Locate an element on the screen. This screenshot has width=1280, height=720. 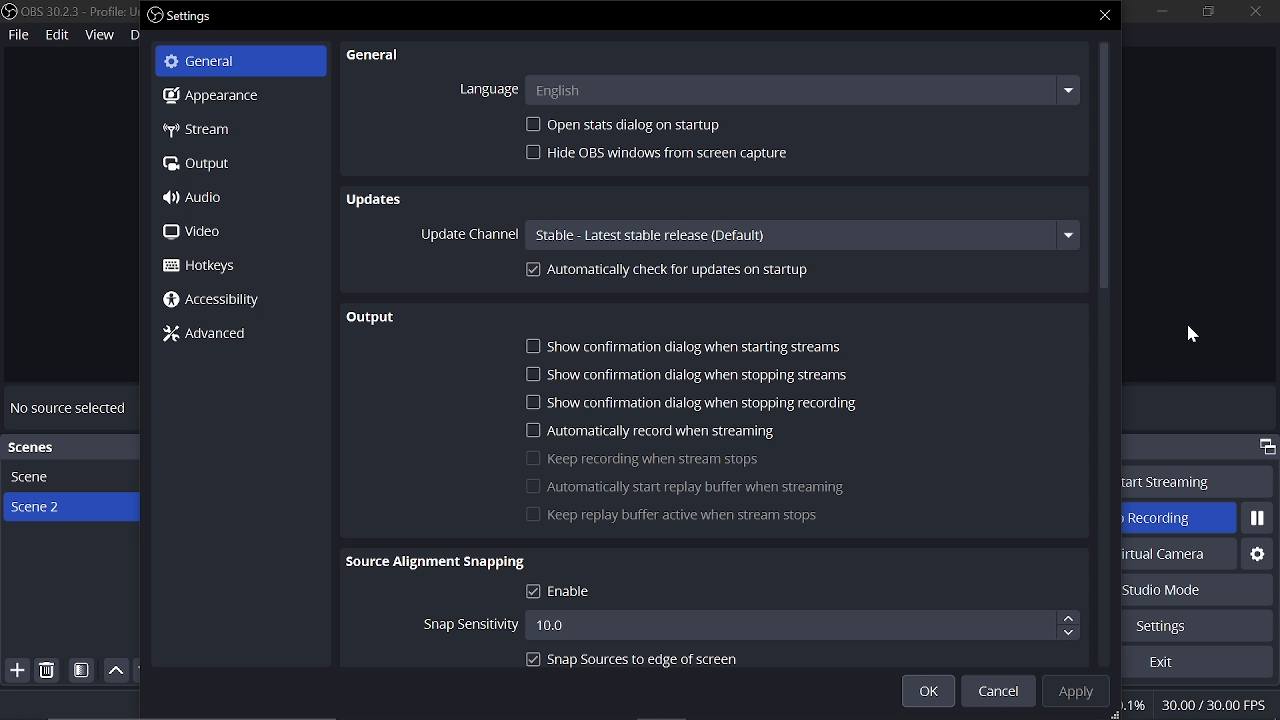
edit is located at coordinates (58, 37).